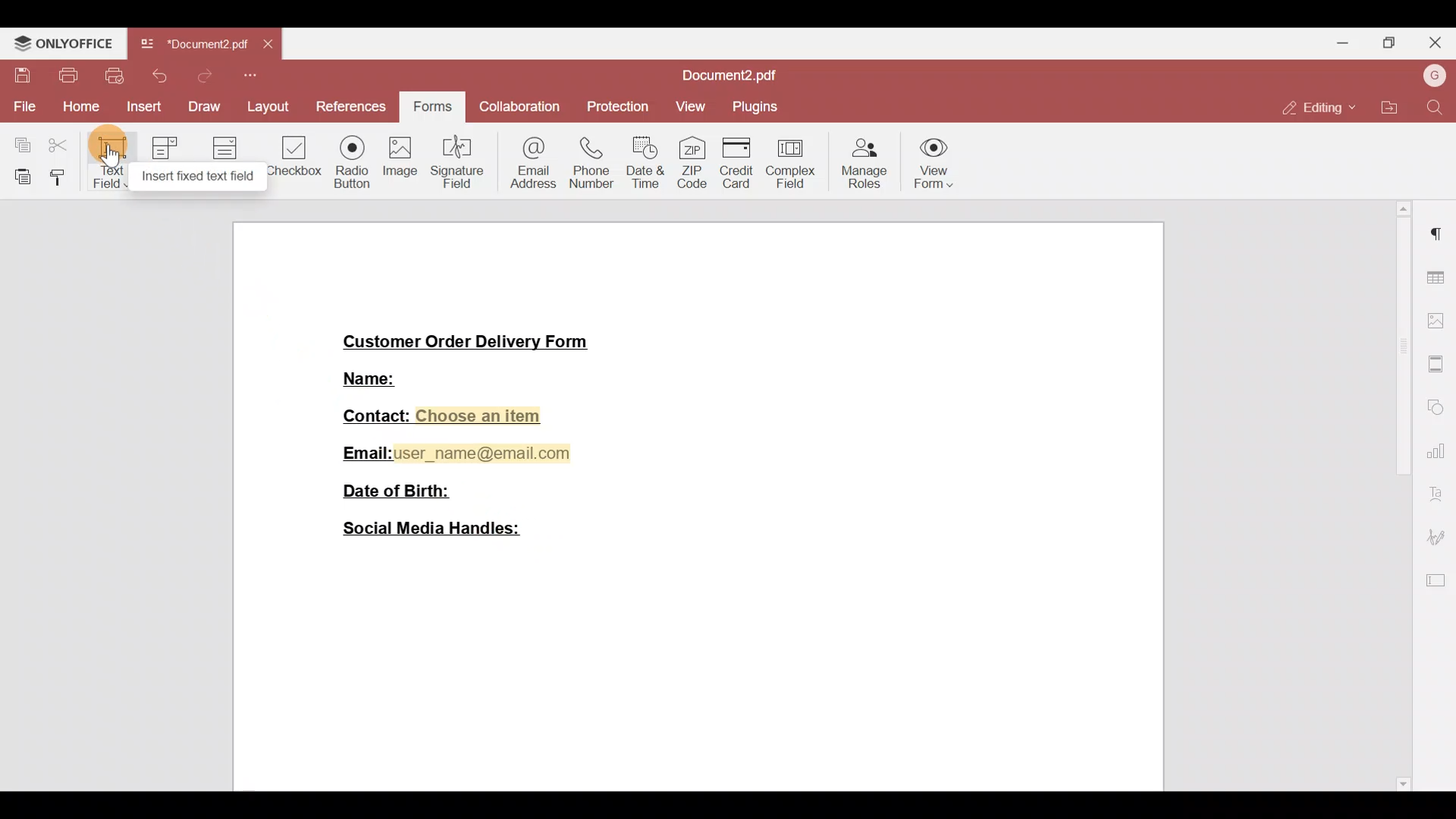 This screenshot has width=1456, height=819. Describe the element at coordinates (399, 493) in the screenshot. I see `Date of Birth:` at that location.